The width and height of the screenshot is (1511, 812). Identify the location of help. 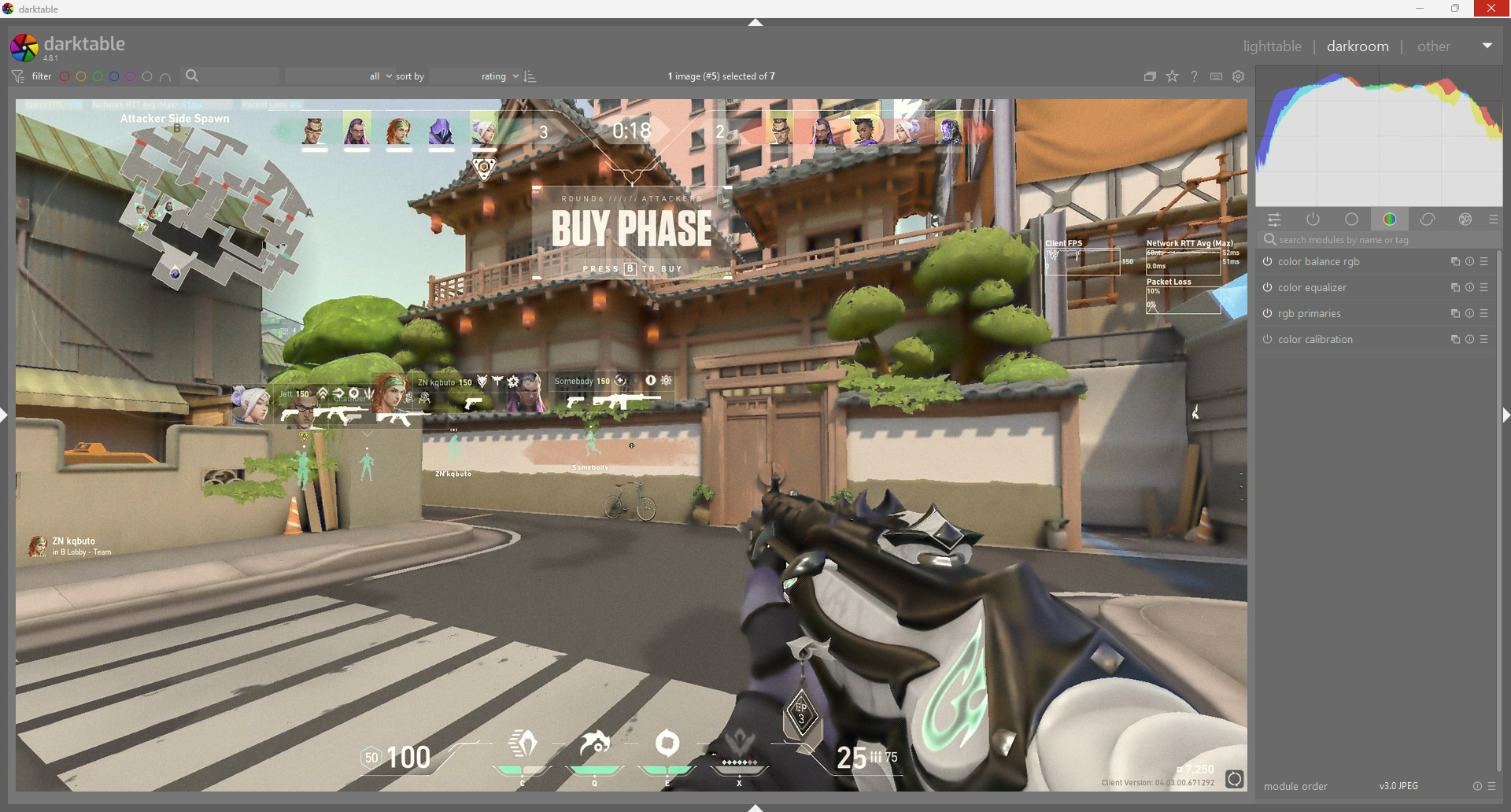
(1192, 76).